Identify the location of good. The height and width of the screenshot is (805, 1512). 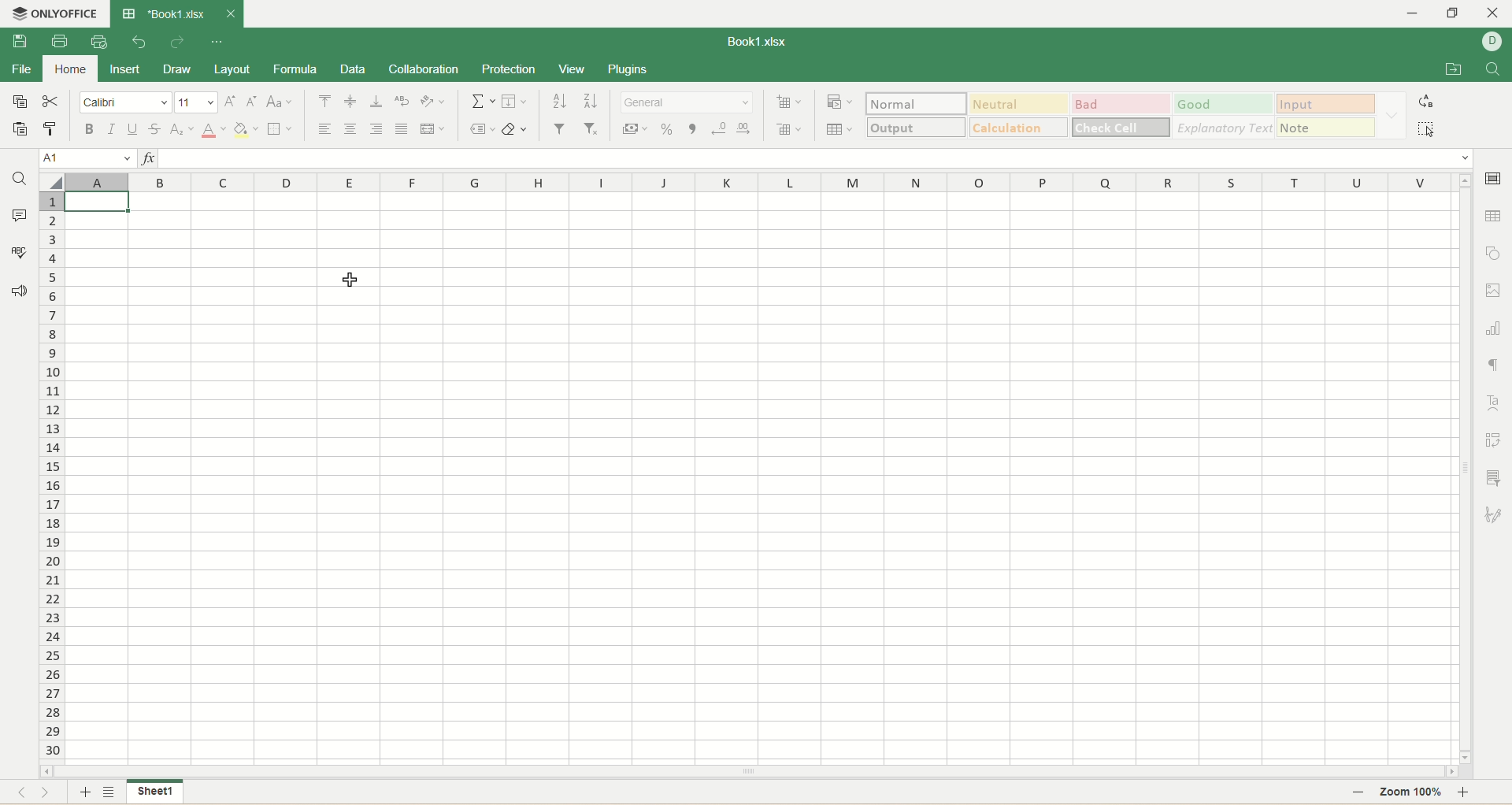
(1221, 105).